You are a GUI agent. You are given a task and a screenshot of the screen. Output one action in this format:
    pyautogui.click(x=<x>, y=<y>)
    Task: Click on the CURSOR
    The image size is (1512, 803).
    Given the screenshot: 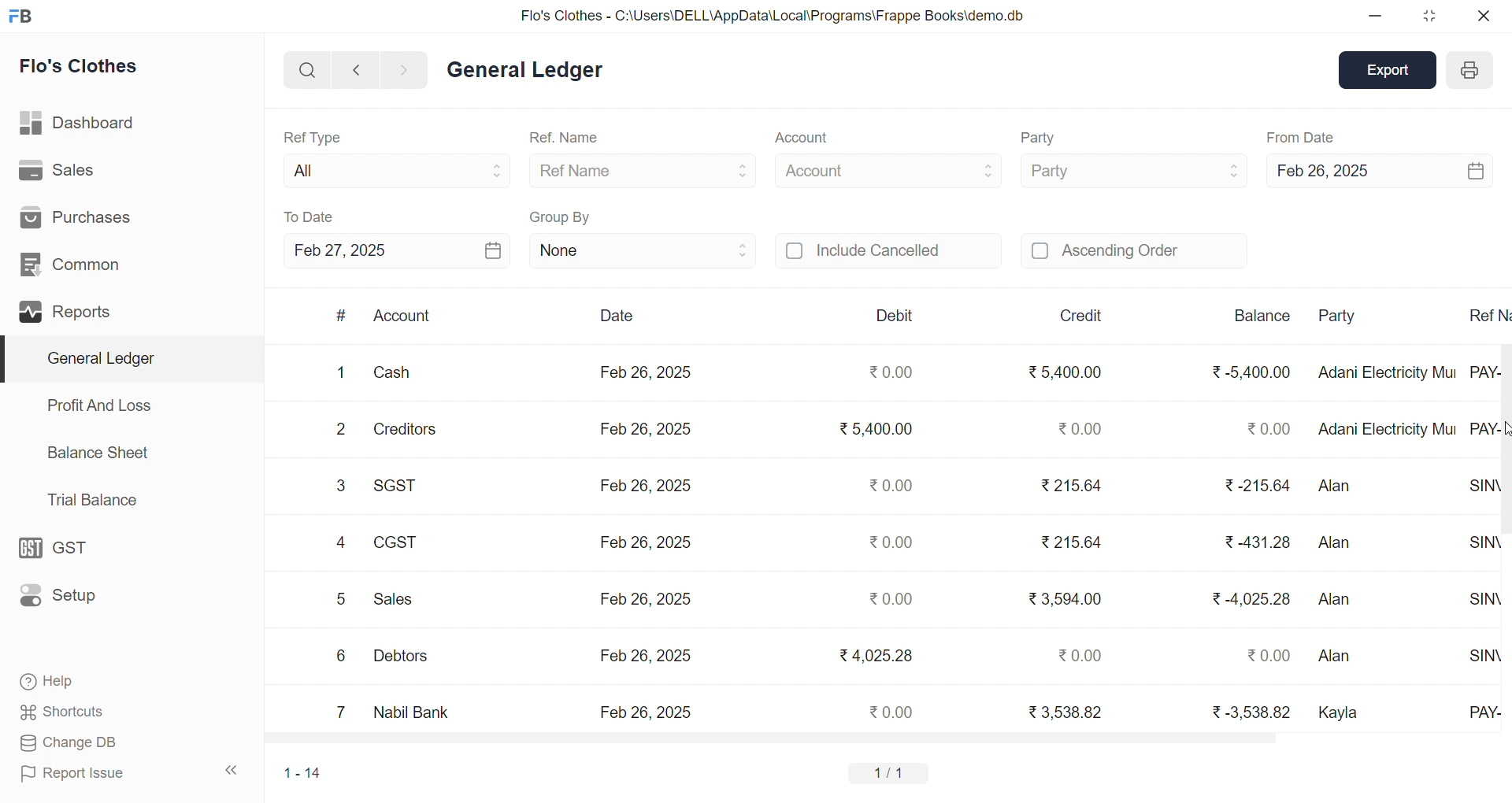 What is the action you would take?
    pyautogui.click(x=1503, y=431)
    